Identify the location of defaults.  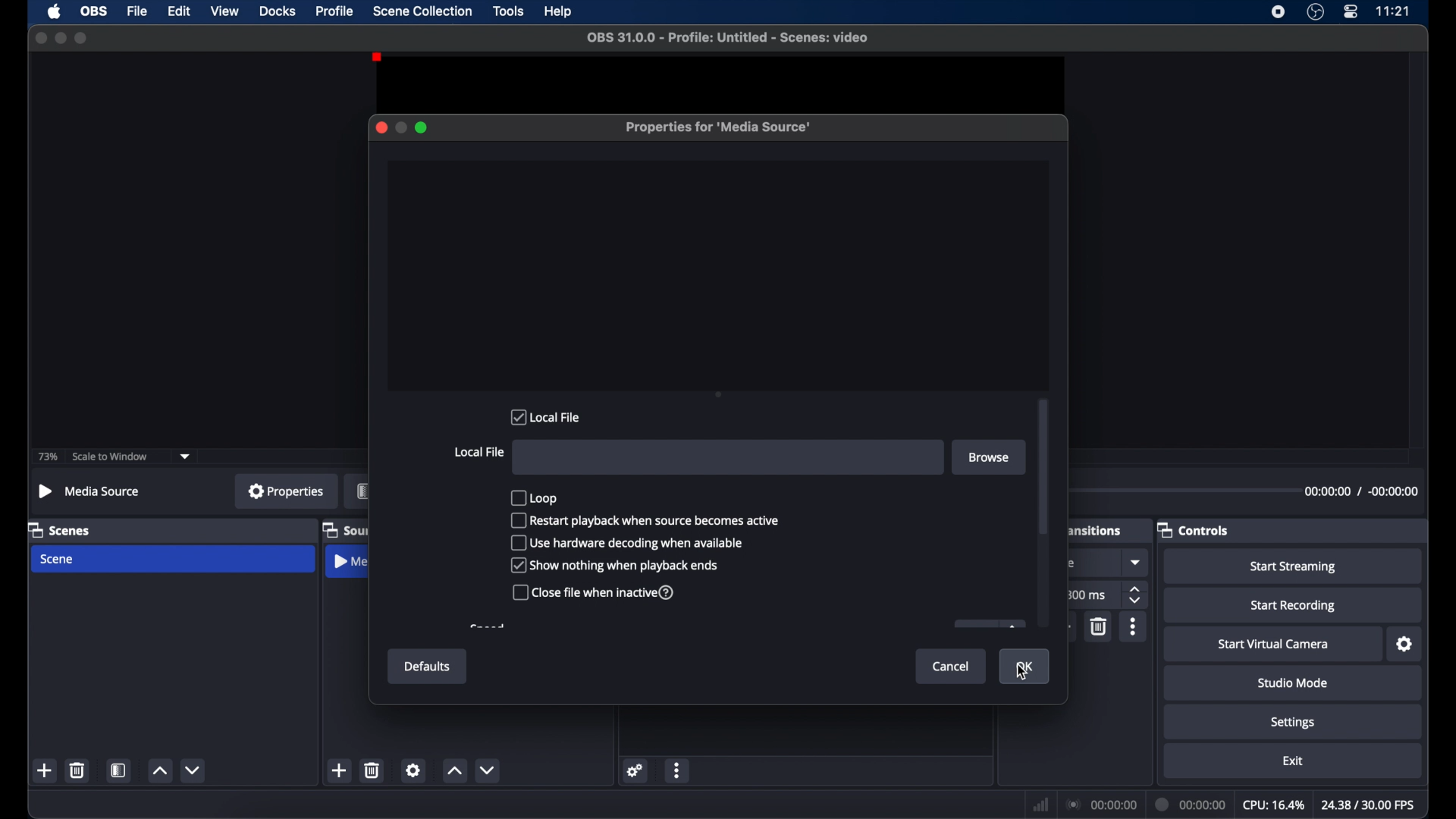
(428, 667).